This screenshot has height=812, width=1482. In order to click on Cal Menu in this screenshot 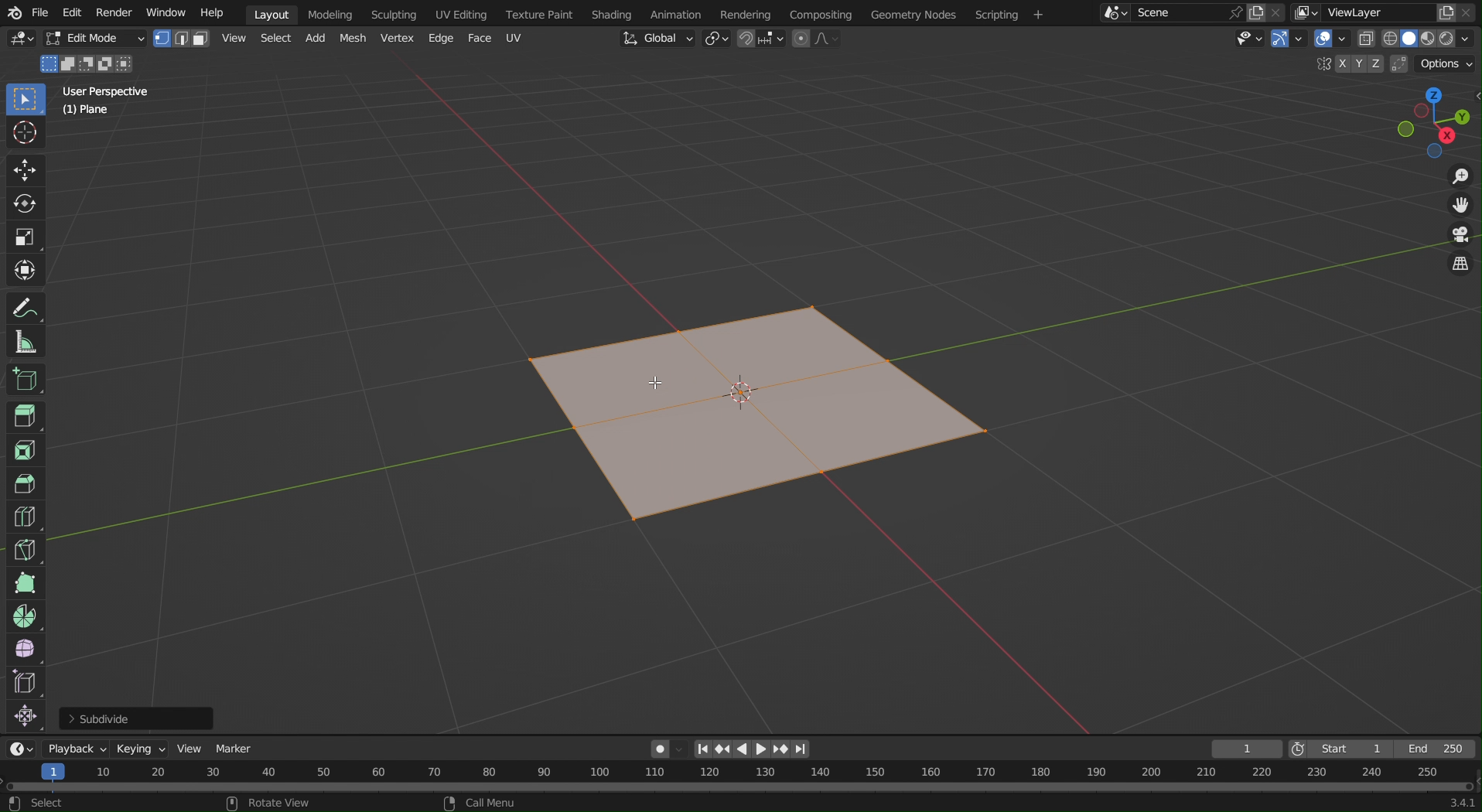, I will do `click(477, 803)`.